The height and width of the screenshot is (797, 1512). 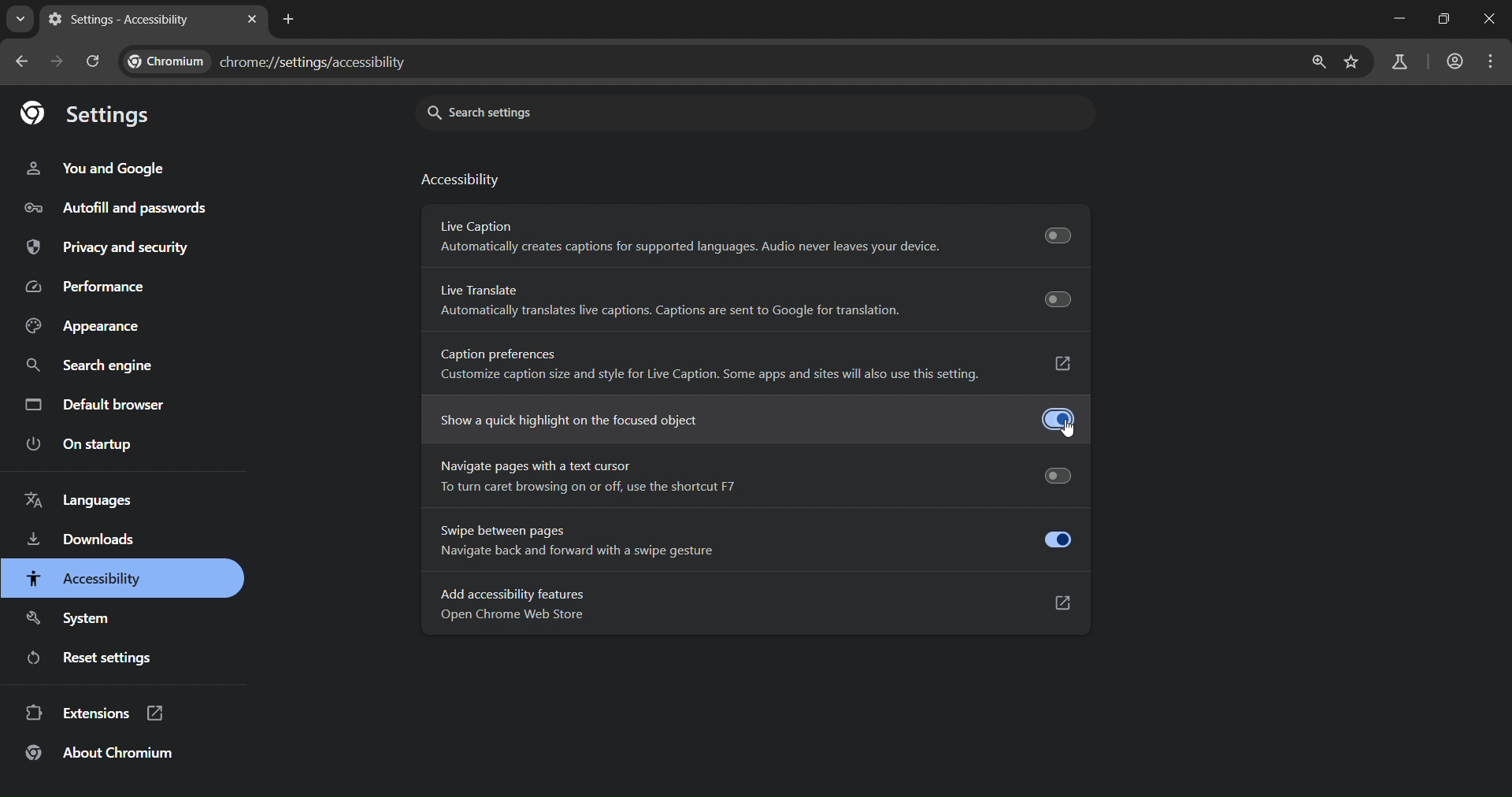 I want to click on reload page, so click(x=93, y=64).